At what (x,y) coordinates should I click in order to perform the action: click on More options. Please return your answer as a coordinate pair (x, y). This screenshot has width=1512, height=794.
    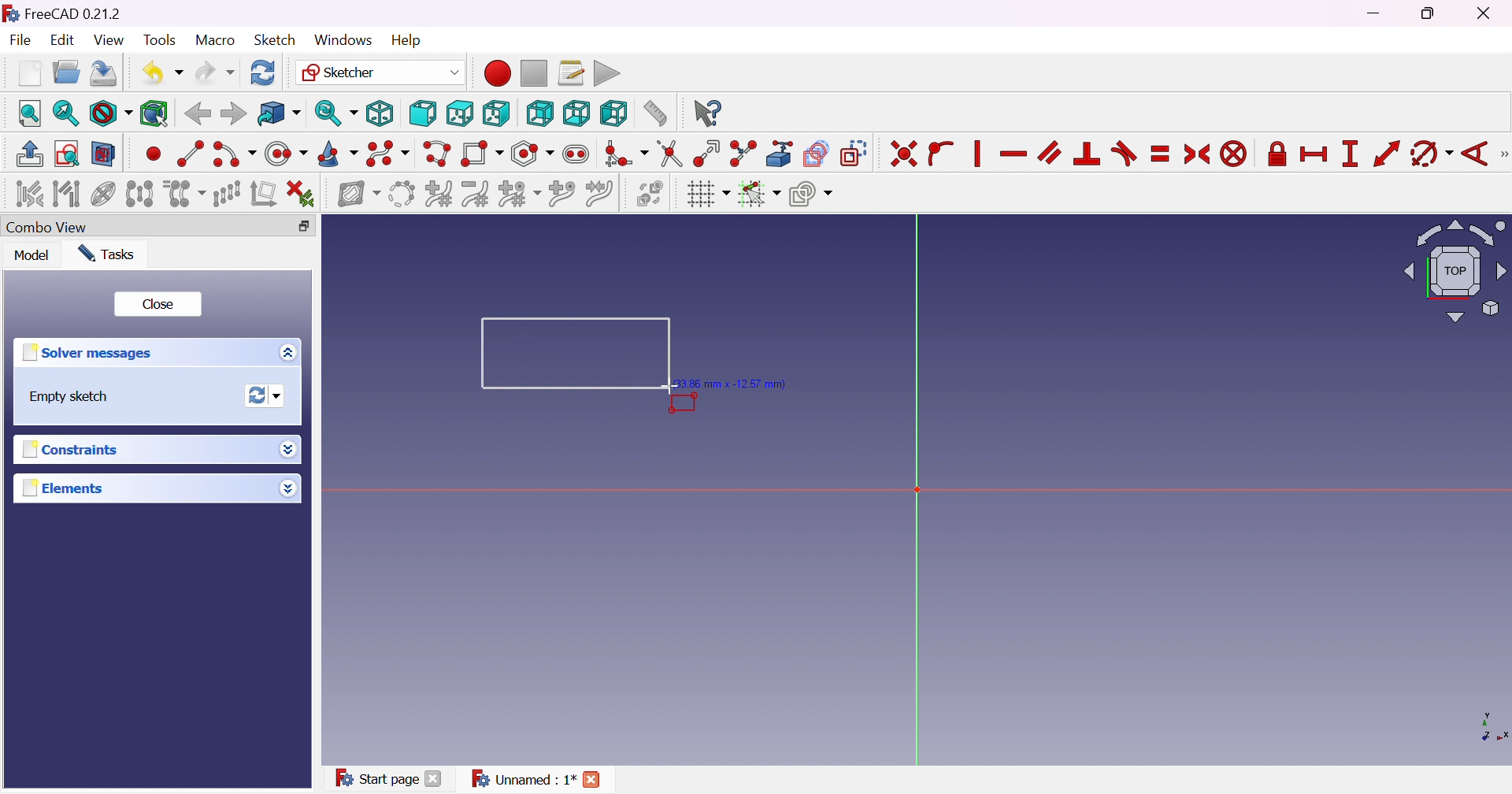
    Looking at the image, I should click on (287, 488).